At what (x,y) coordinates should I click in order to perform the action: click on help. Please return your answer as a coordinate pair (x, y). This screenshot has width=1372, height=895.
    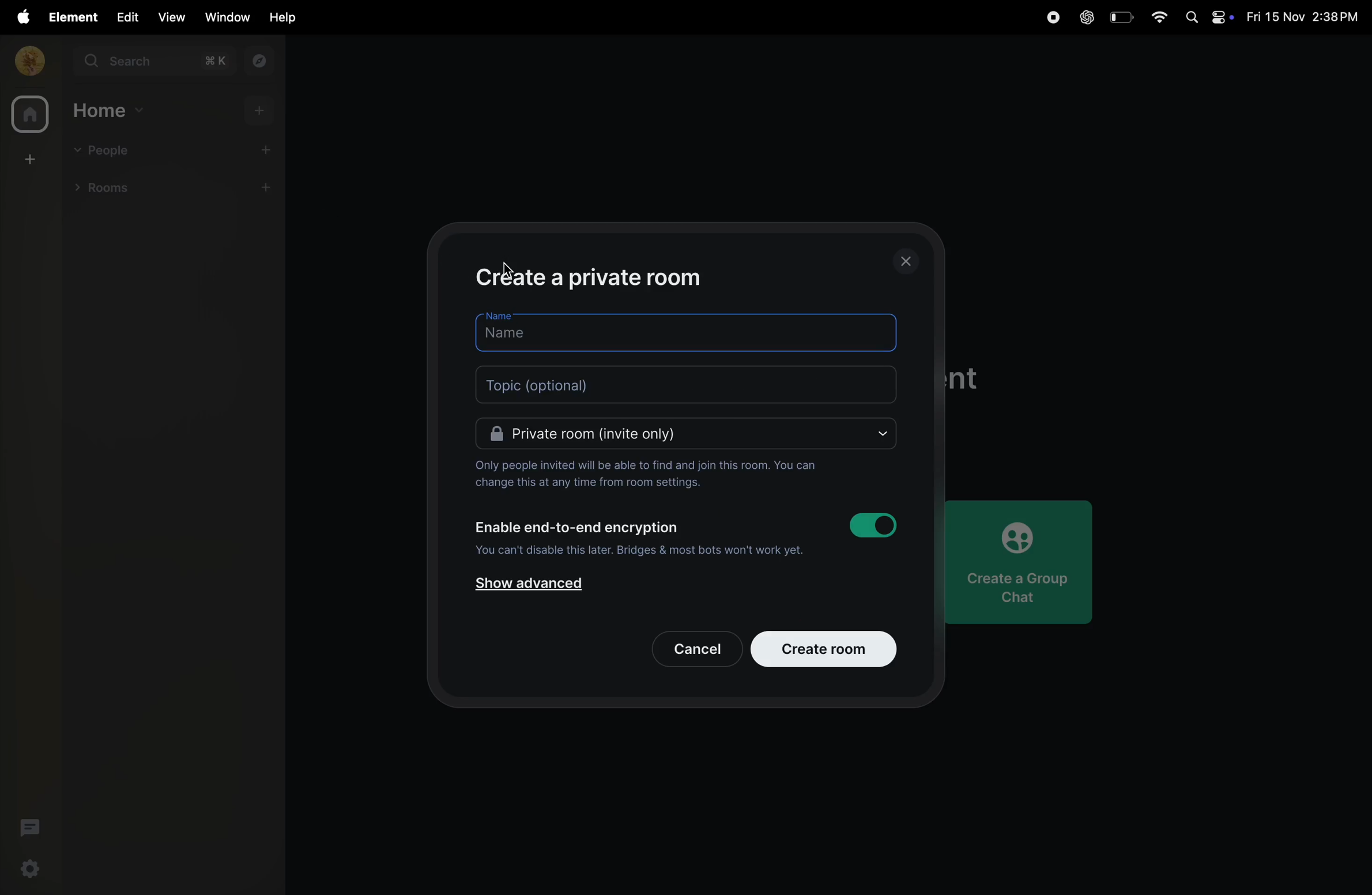
    Looking at the image, I should click on (284, 17).